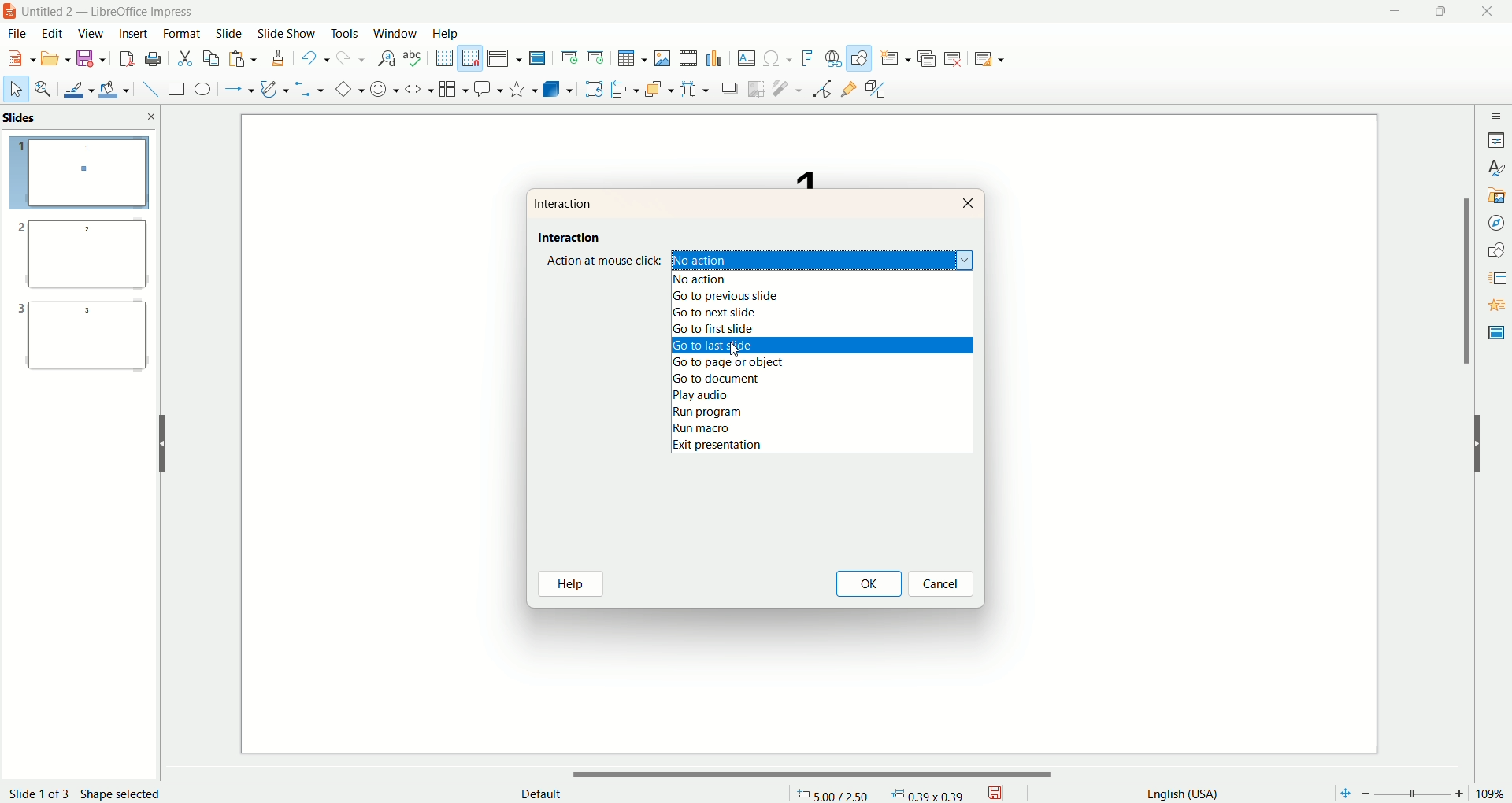 This screenshot has height=803, width=1512. Describe the element at coordinates (80, 175) in the screenshot. I see `slide 1` at that location.